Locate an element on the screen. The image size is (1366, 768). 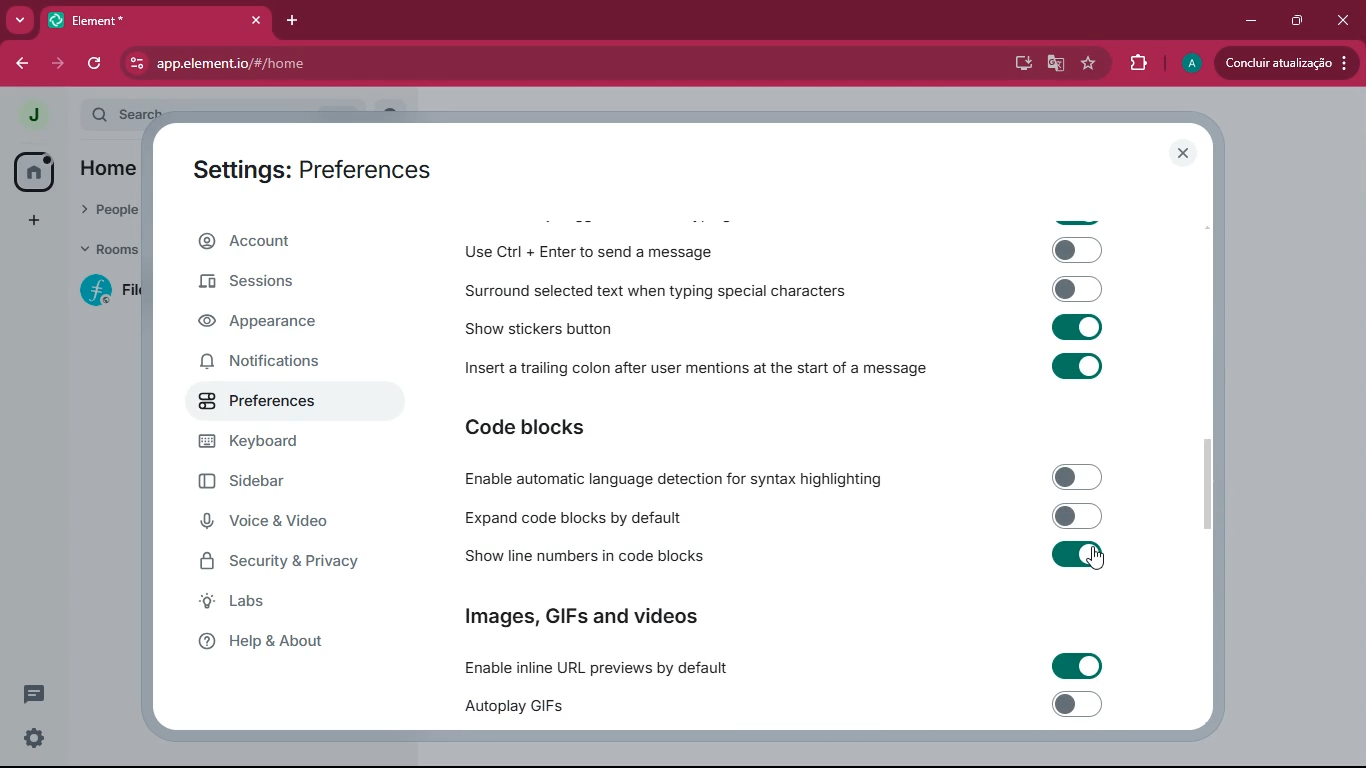
google translate is located at coordinates (1054, 64).